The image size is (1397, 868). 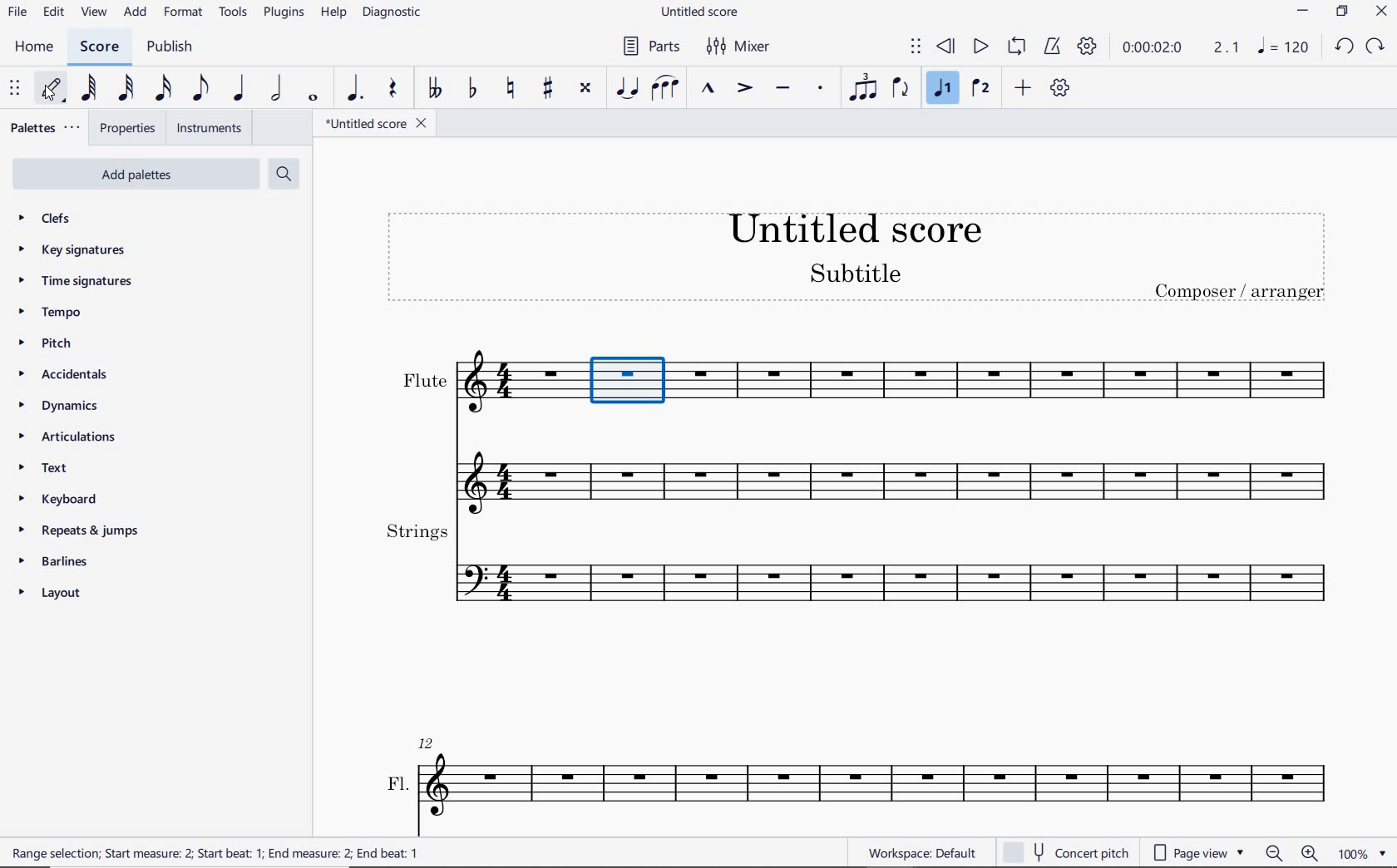 I want to click on PROPERTIES, so click(x=130, y=128).